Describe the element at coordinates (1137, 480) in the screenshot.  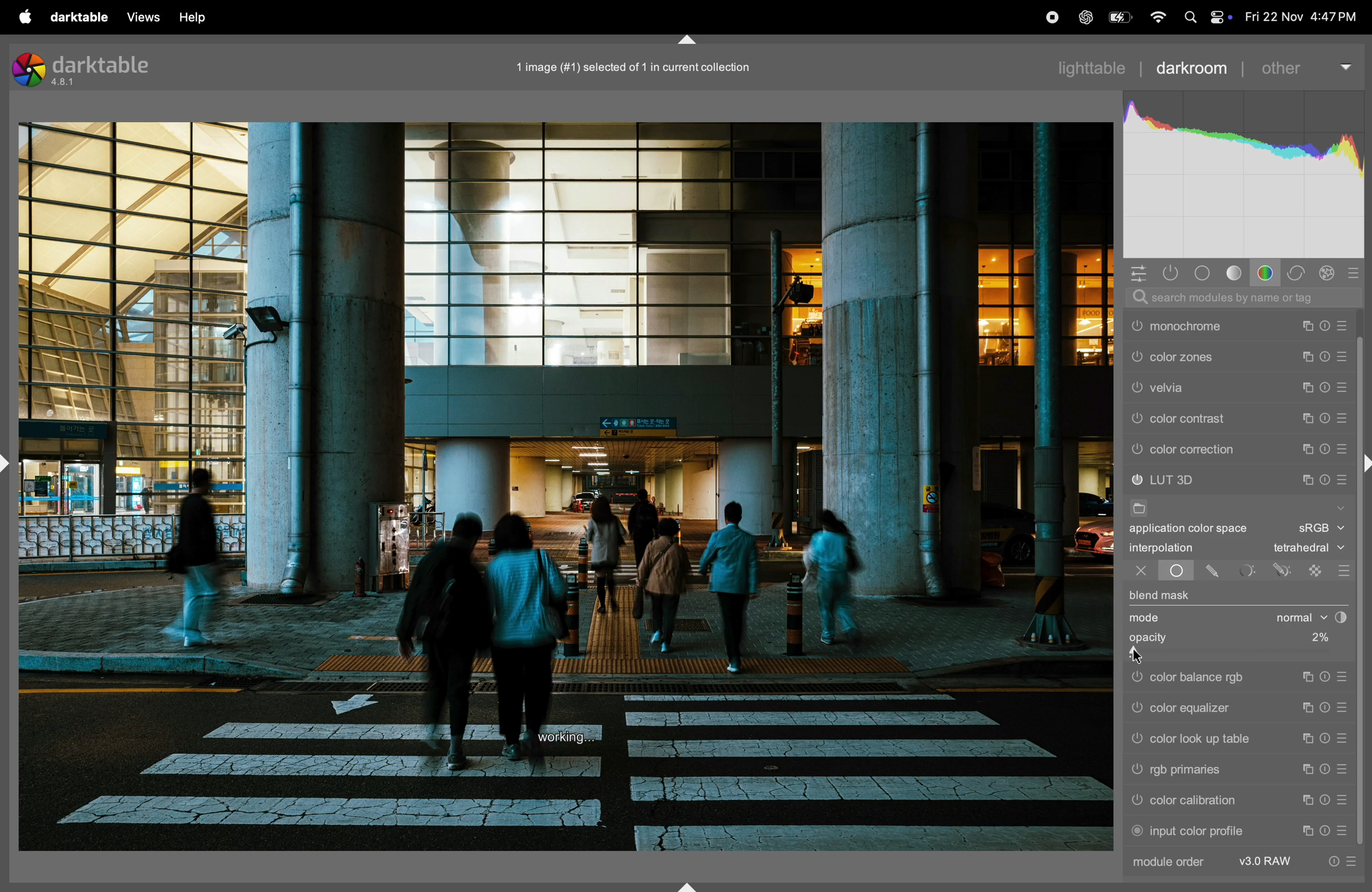
I see `LUT 3D switched off` at that location.